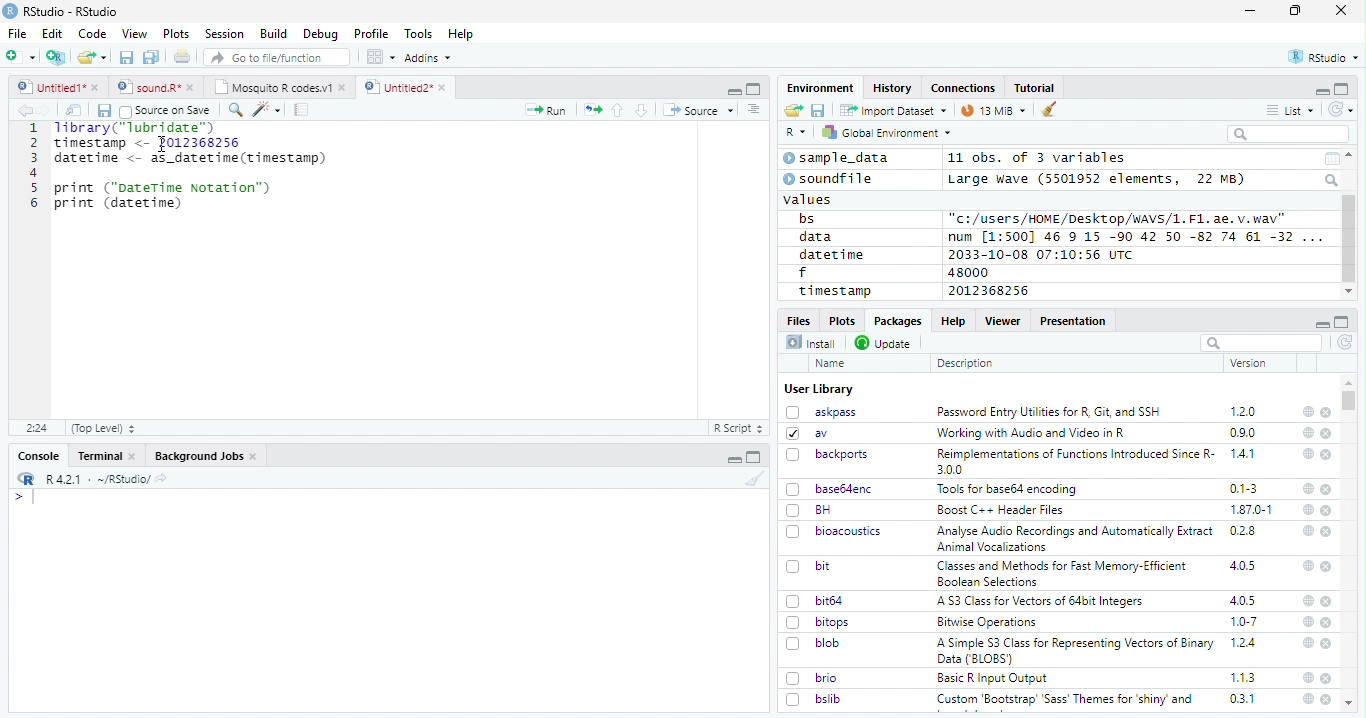 Image resolution: width=1366 pixels, height=718 pixels. What do you see at coordinates (278, 57) in the screenshot?
I see `Go to file/function` at bounding box center [278, 57].